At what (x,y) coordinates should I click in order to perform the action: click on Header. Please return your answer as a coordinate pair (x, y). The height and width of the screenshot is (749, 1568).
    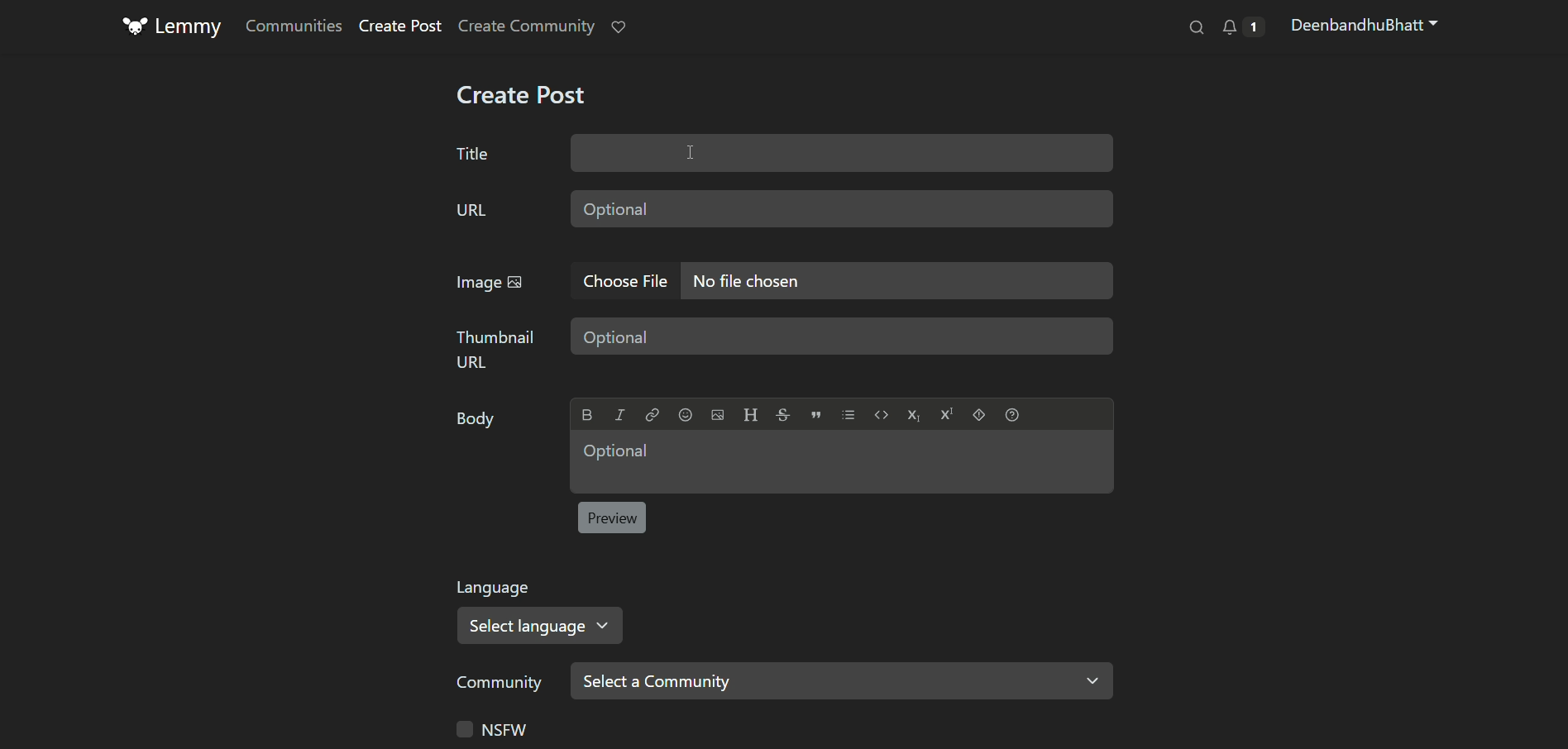
    Looking at the image, I should click on (751, 415).